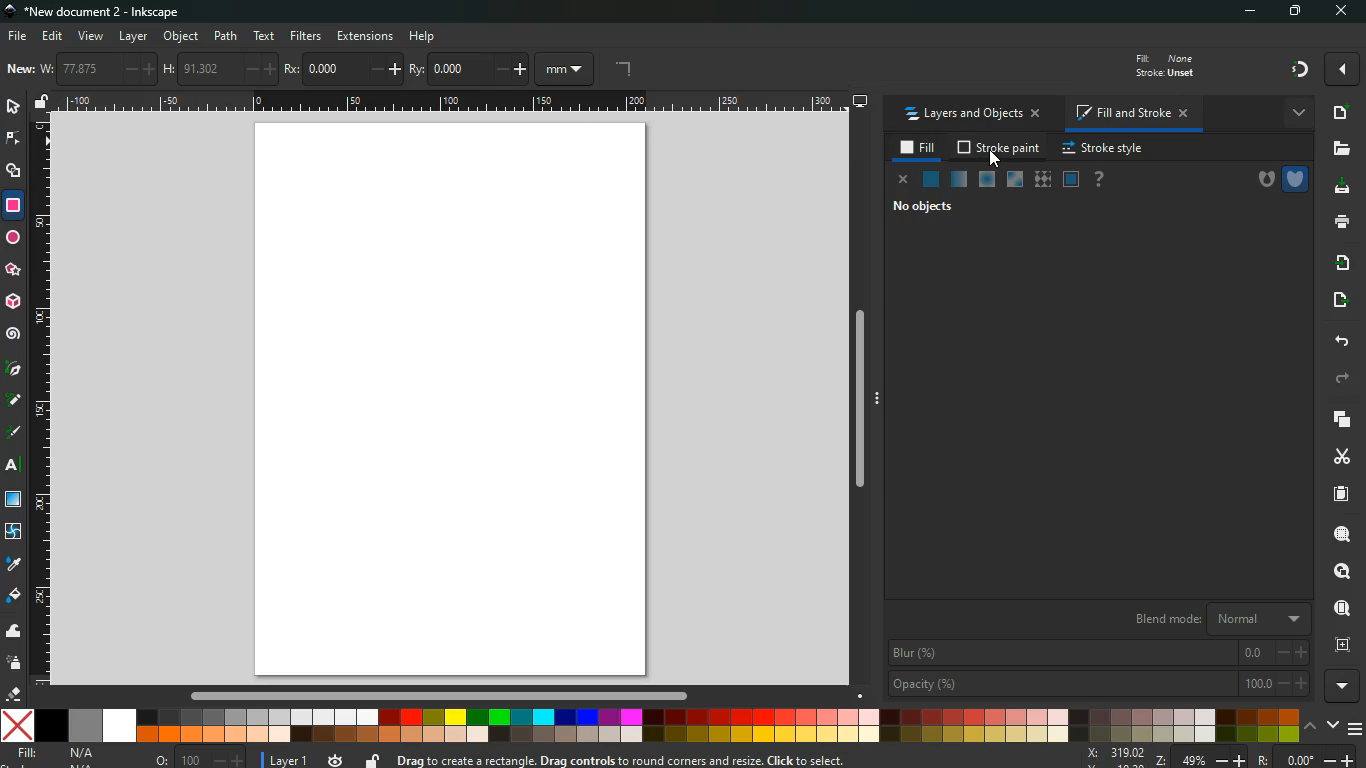 The height and width of the screenshot is (768, 1366). Describe the element at coordinates (13, 567) in the screenshot. I see `drop` at that location.